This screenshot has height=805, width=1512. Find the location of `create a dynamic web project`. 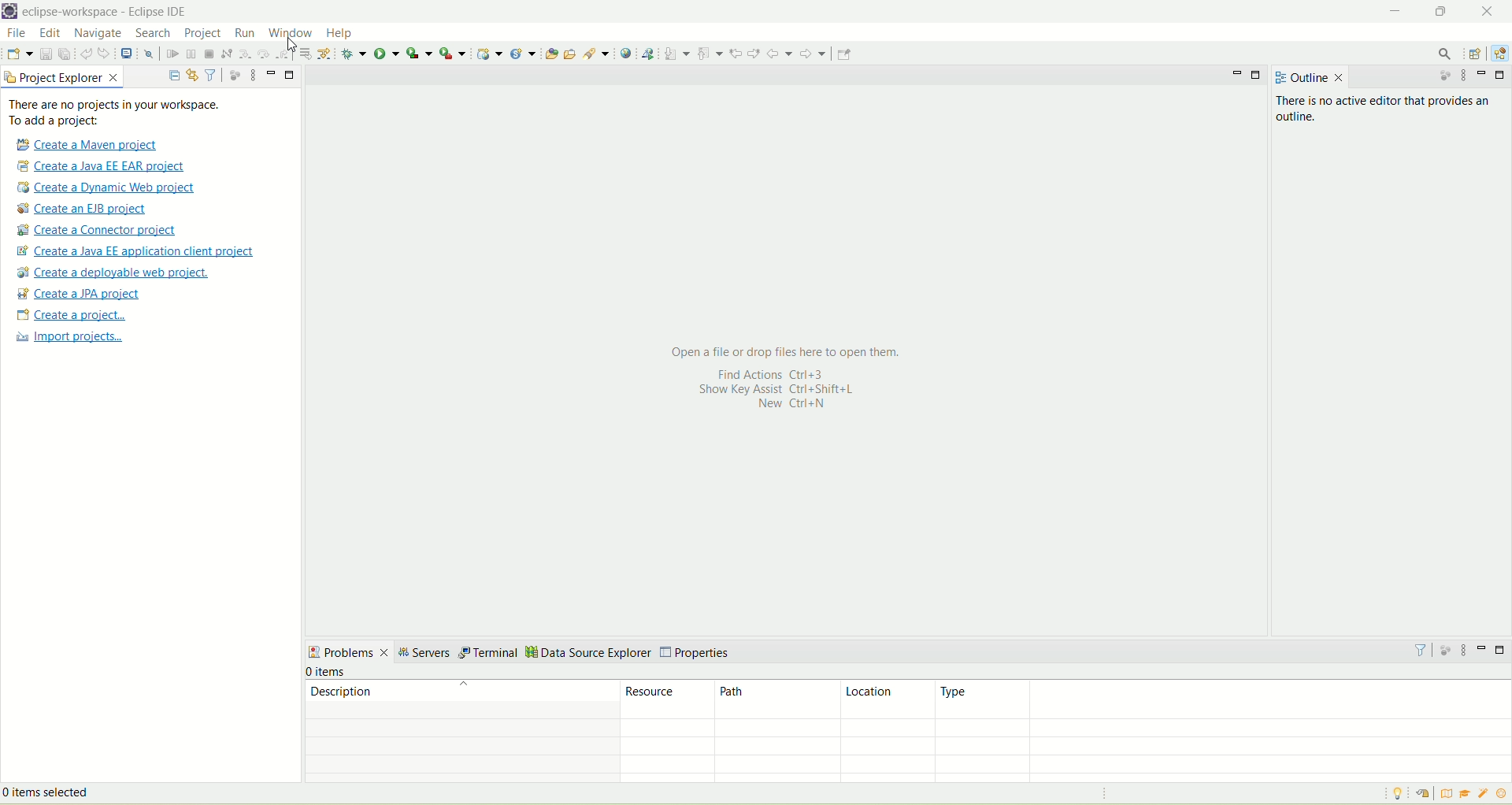

create a dynamic web project is located at coordinates (109, 187).